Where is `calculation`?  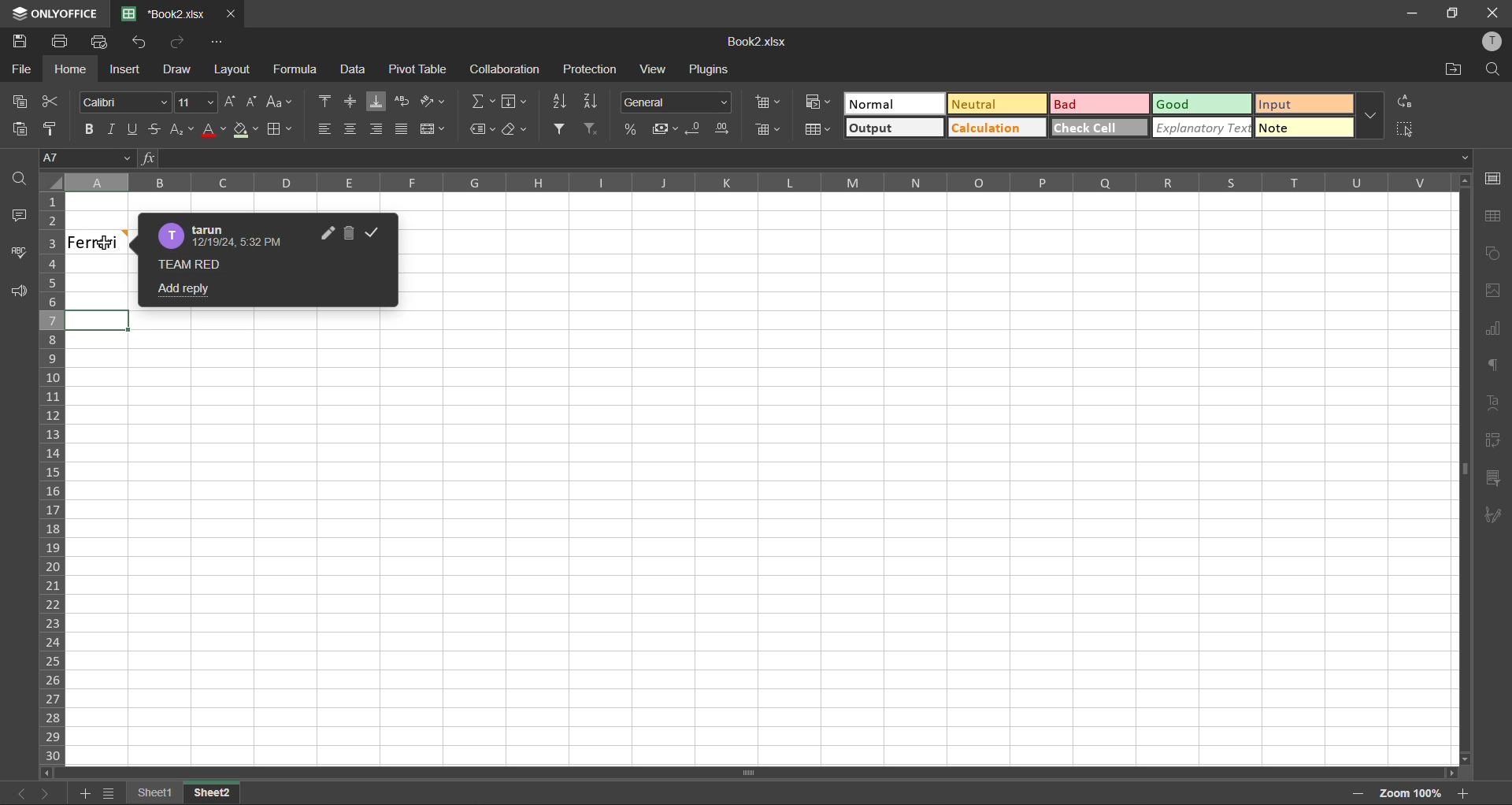 calculation is located at coordinates (996, 129).